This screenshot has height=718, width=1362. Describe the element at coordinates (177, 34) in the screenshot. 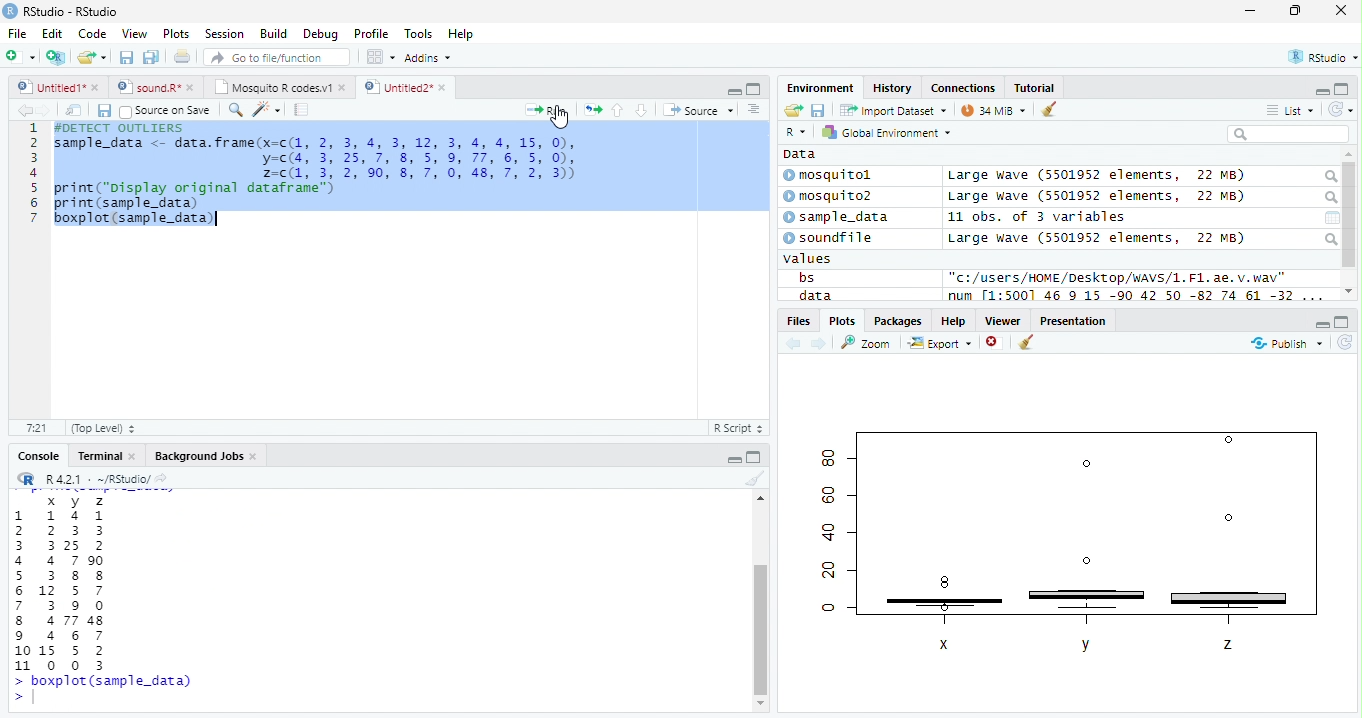

I see `Plots` at that location.